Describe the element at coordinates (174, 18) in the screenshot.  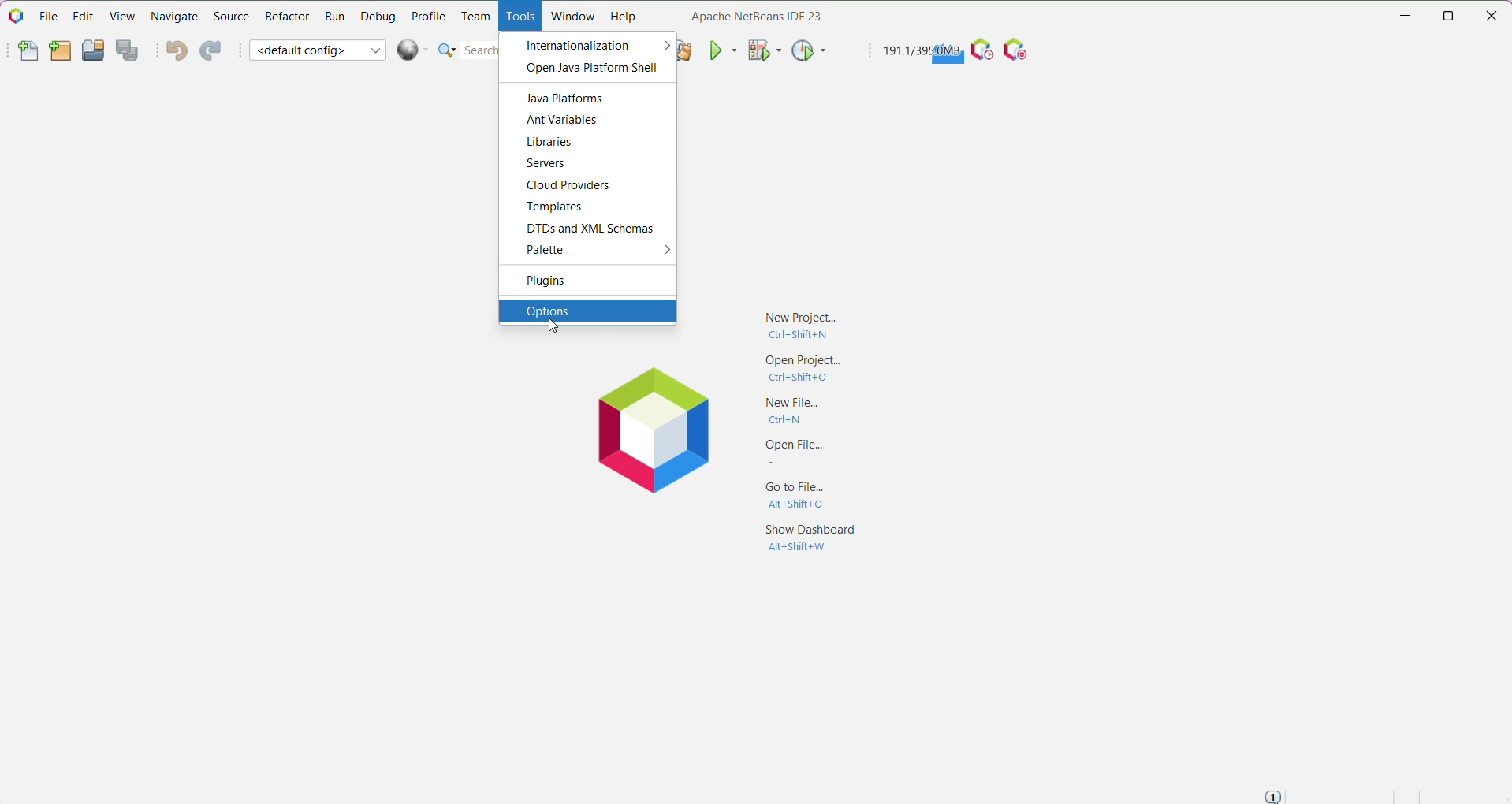
I see `Navigator` at that location.